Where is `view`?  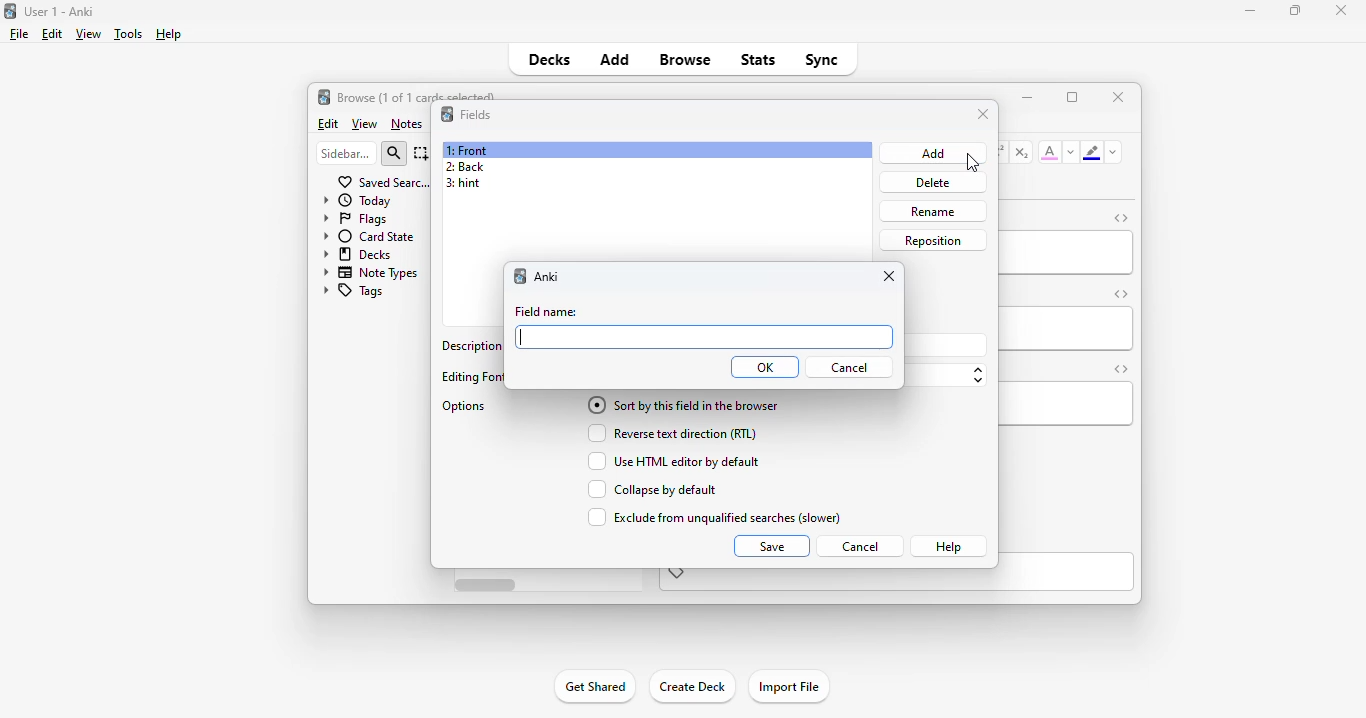 view is located at coordinates (88, 33).